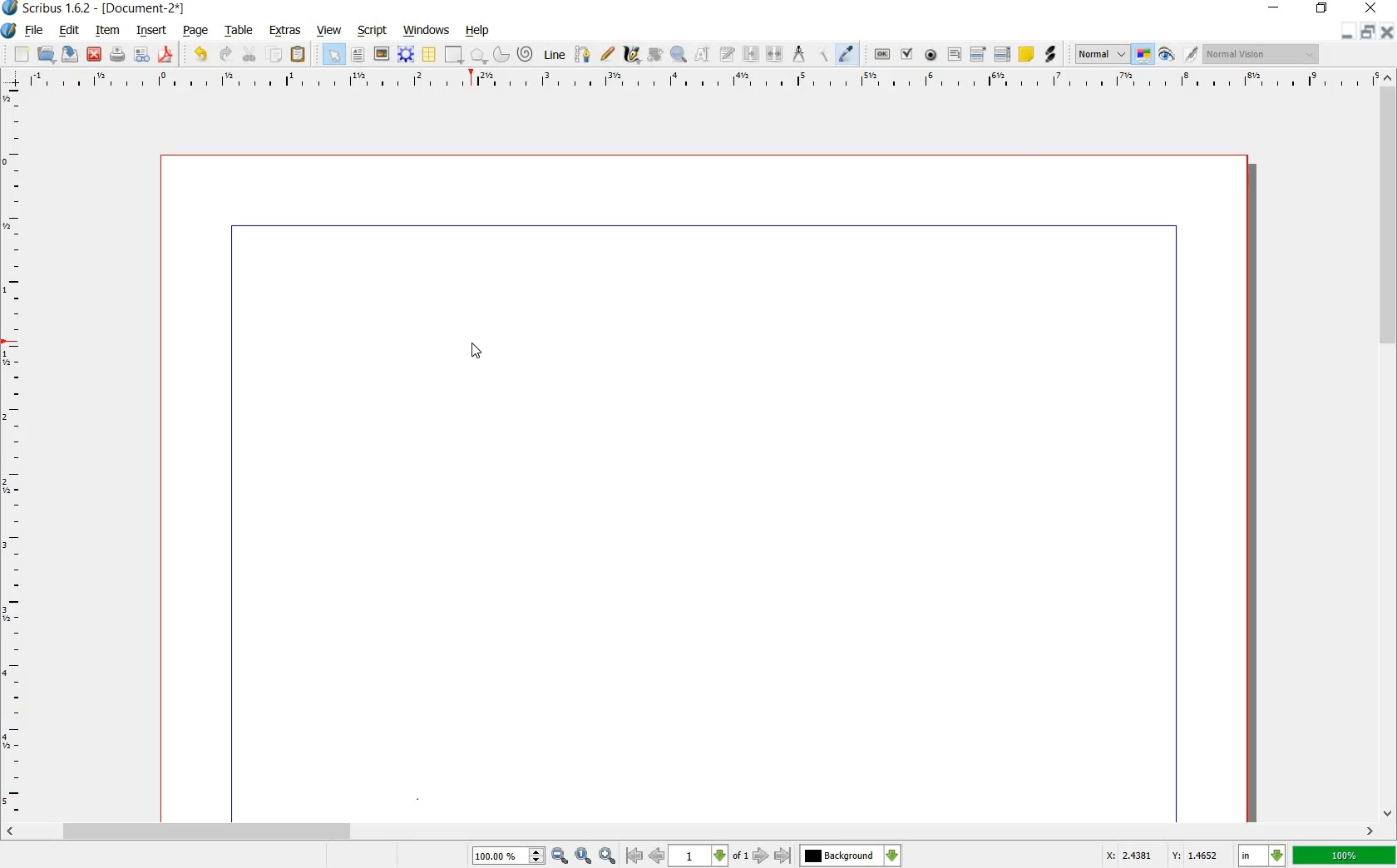 The height and width of the screenshot is (868, 1397). I want to click on EXTRAS, so click(286, 32).